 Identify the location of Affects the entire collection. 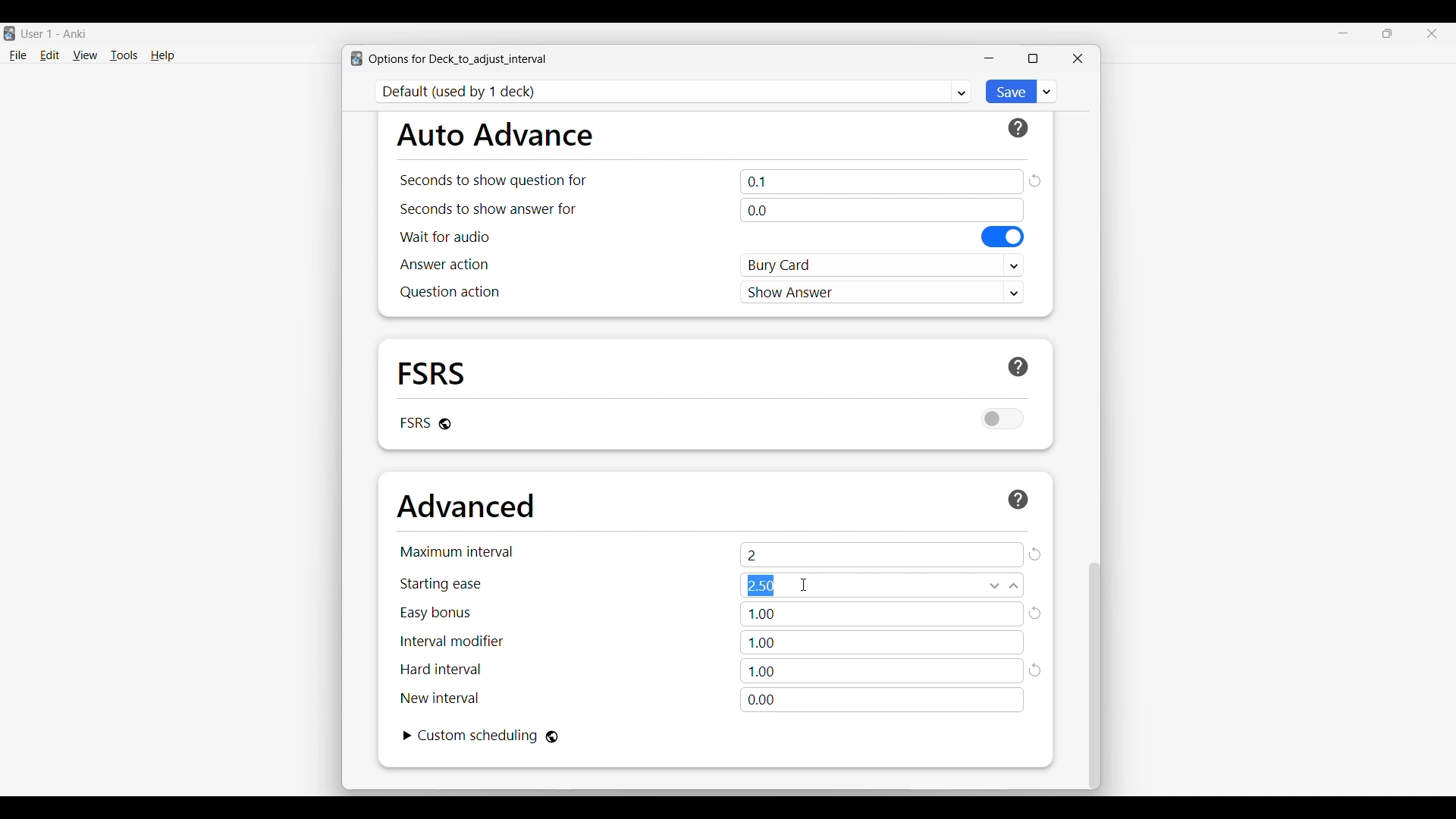
(445, 424).